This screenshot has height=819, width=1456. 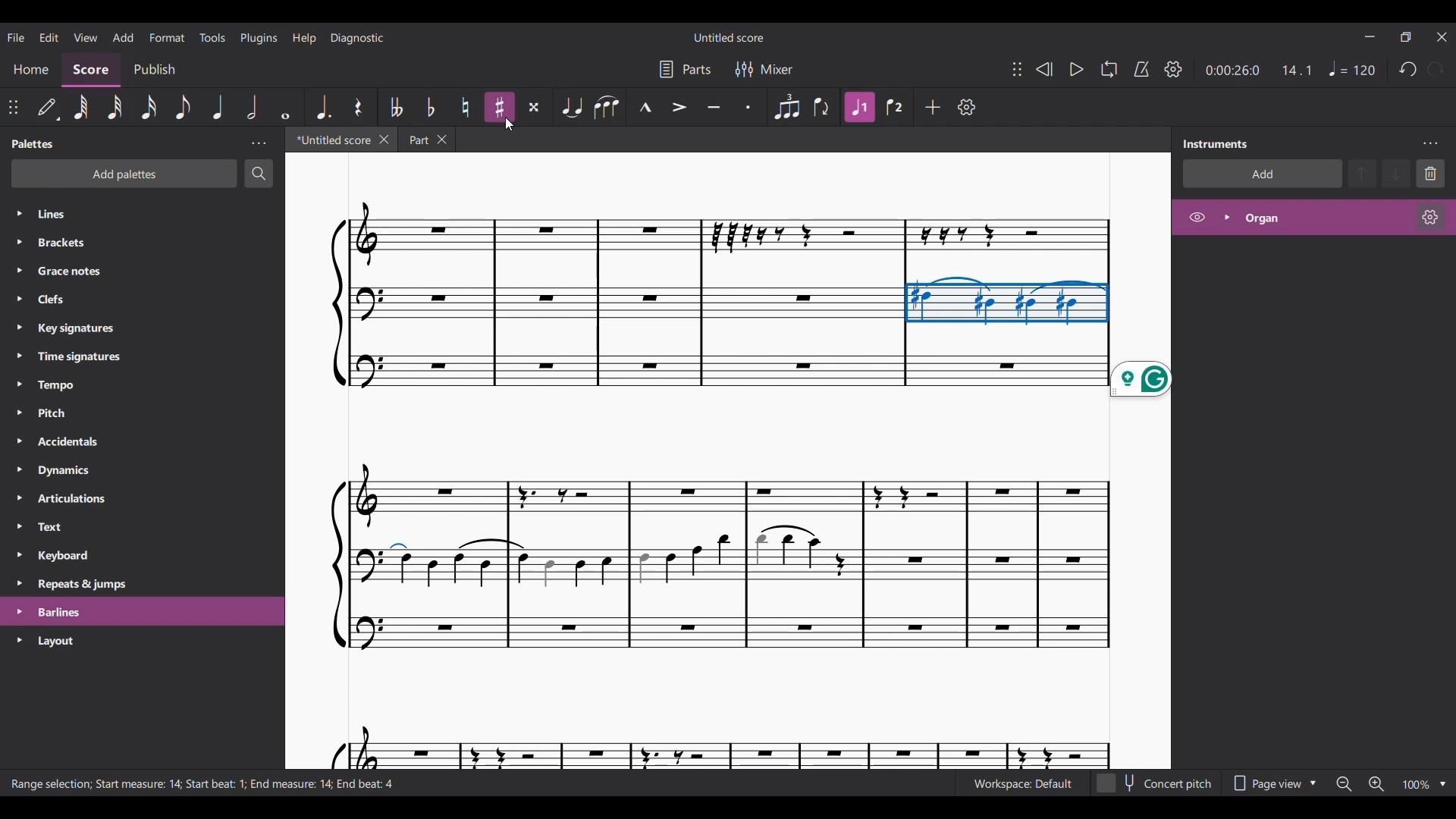 What do you see at coordinates (48, 36) in the screenshot?
I see `Edit menu` at bounding box center [48, 36].